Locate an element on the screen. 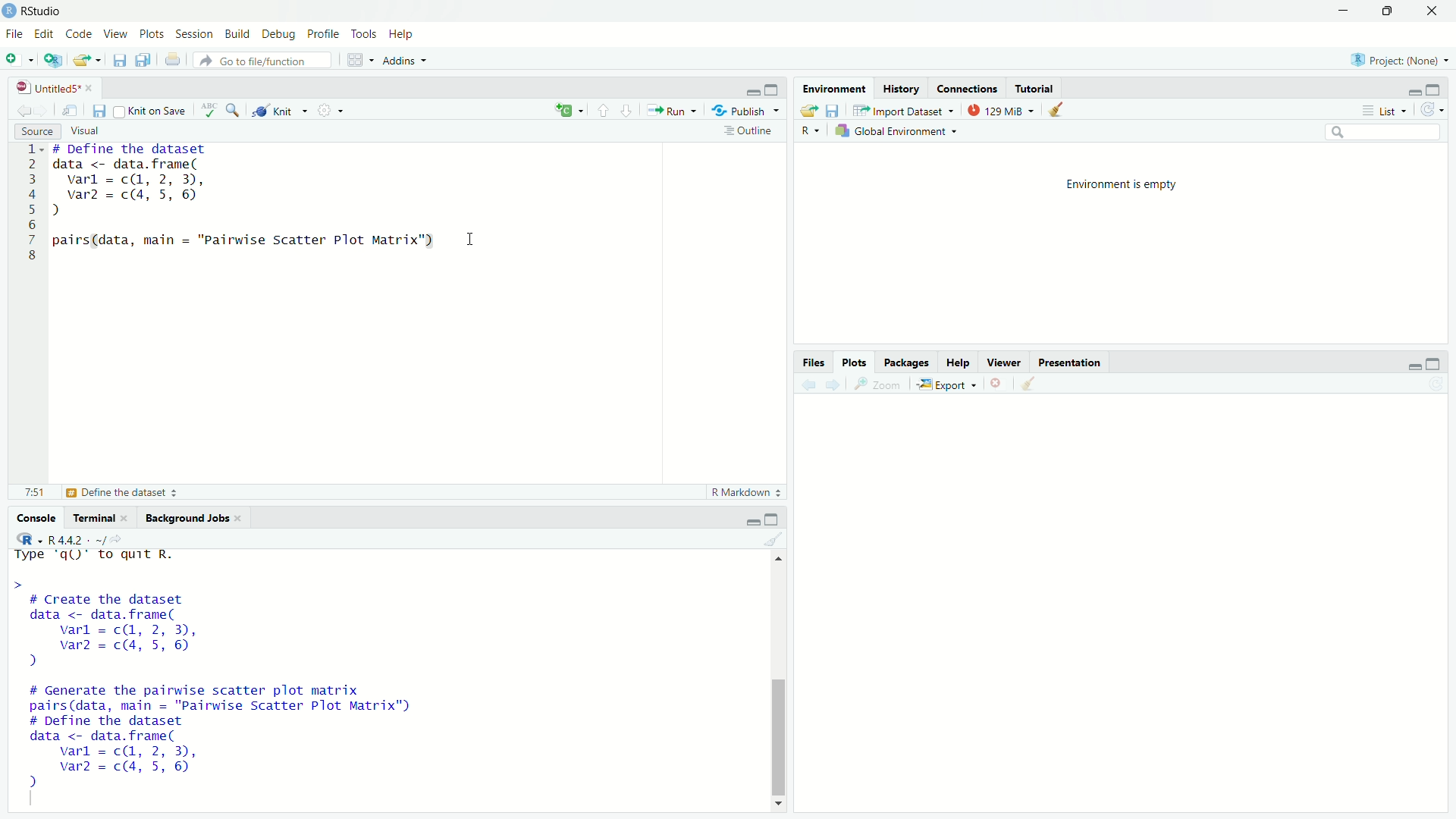  # DeTine the dataset
data <- data.frame(
varl = c(1, 2, 3),
var = c(4, 5, 6)
)
pairs(data, main = "Pairwise Scatter Plot Matrix") is located at coordinates (252, 214).